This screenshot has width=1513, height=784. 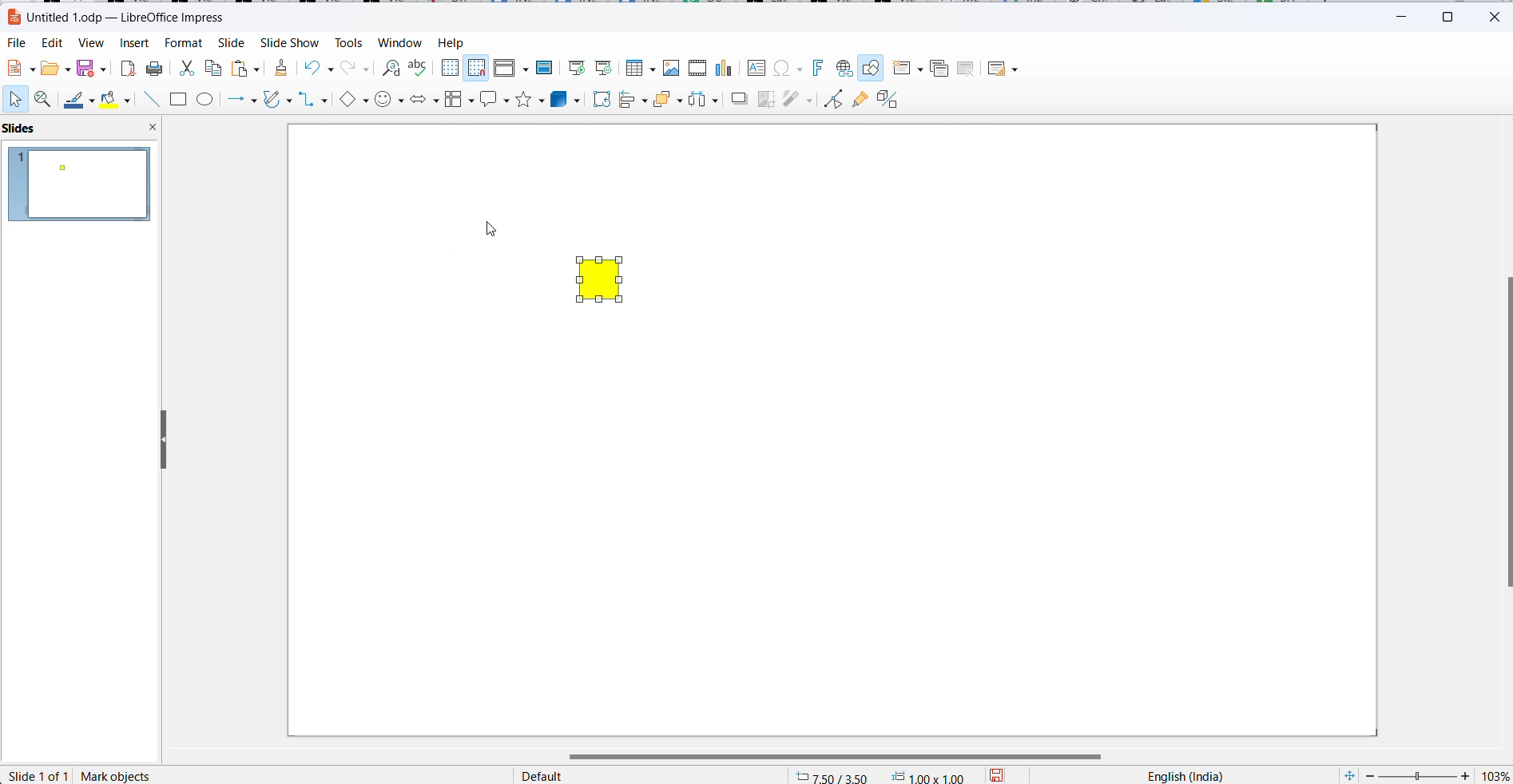 I want to click on zoom and pan, so click(x=45, y=101).